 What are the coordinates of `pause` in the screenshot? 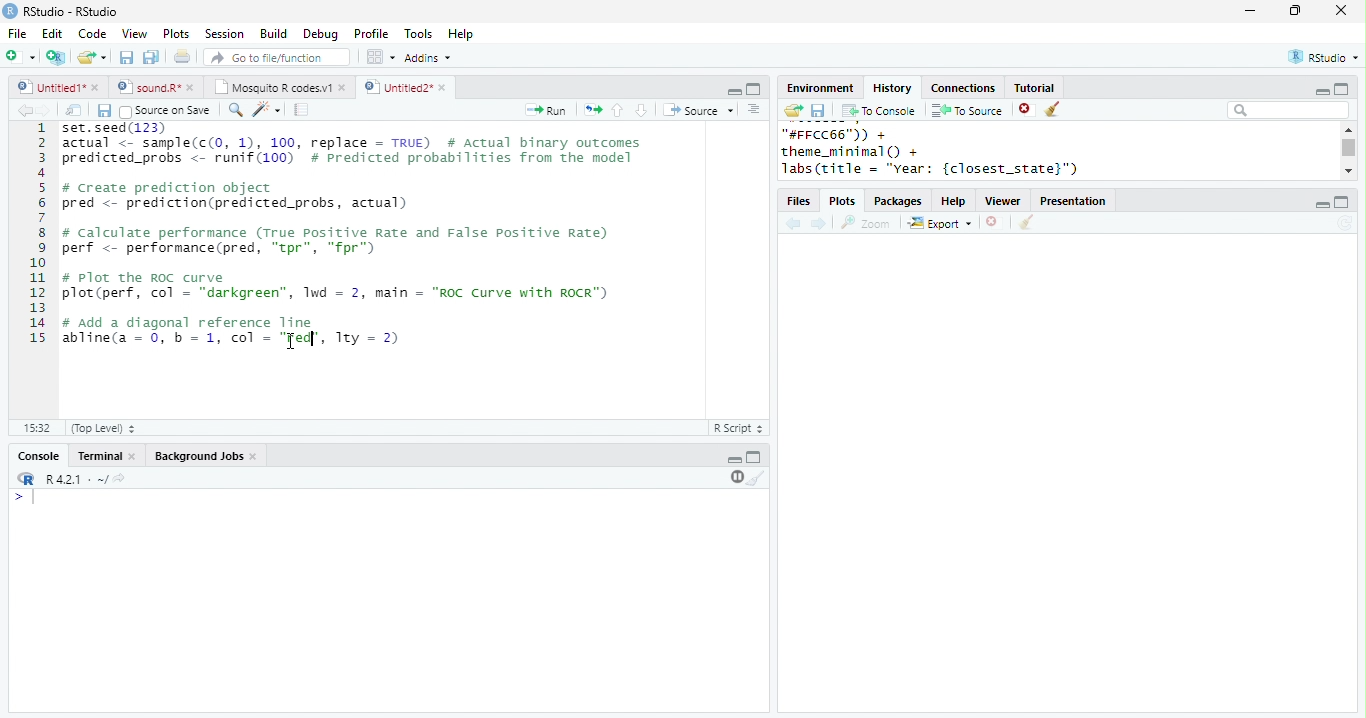 It's located at (735, 477).